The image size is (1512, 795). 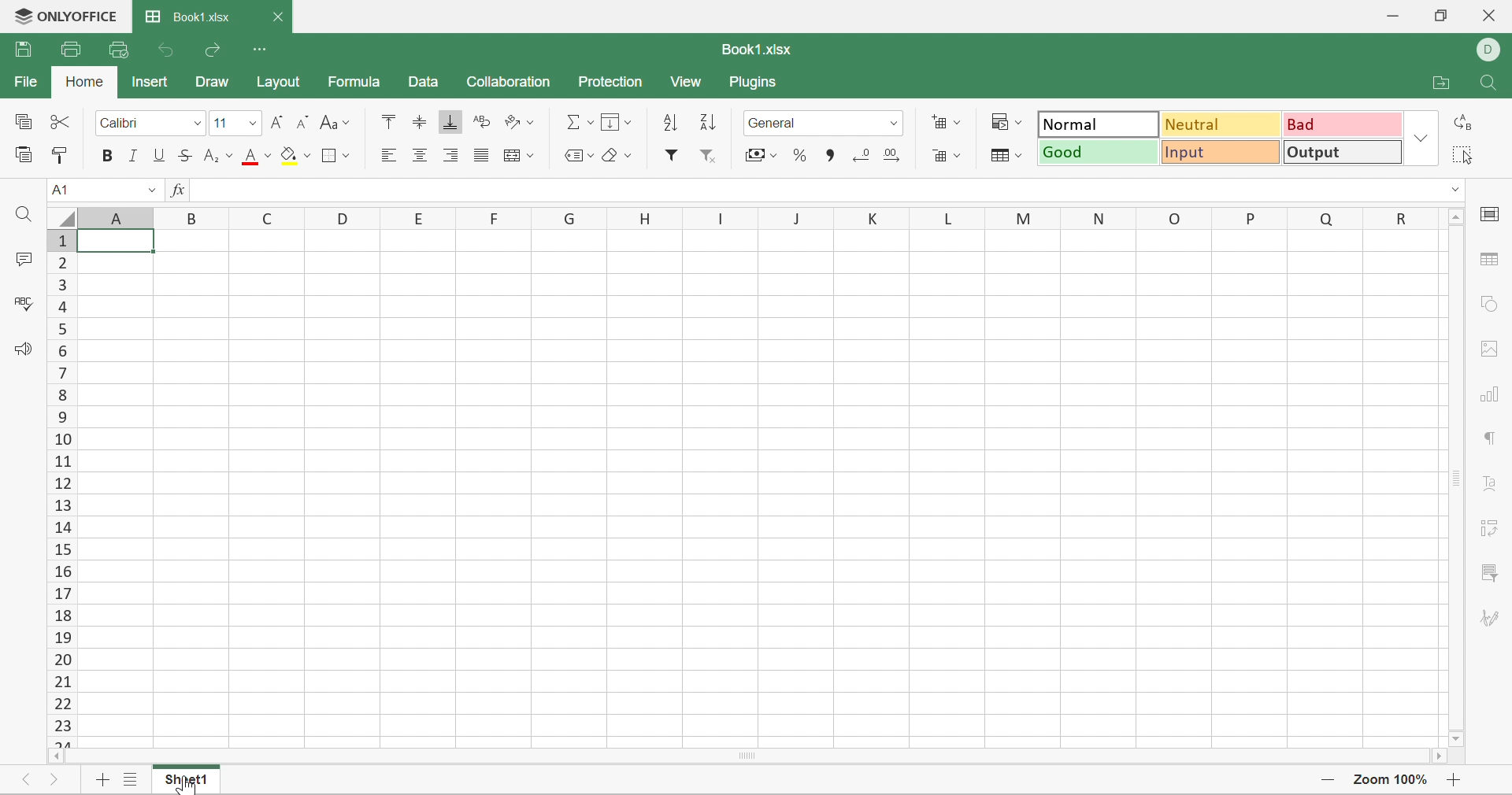 What do you see at coordinates (63, 190) in the screenshot?
I see `A1` at bounding box center [63, 190].